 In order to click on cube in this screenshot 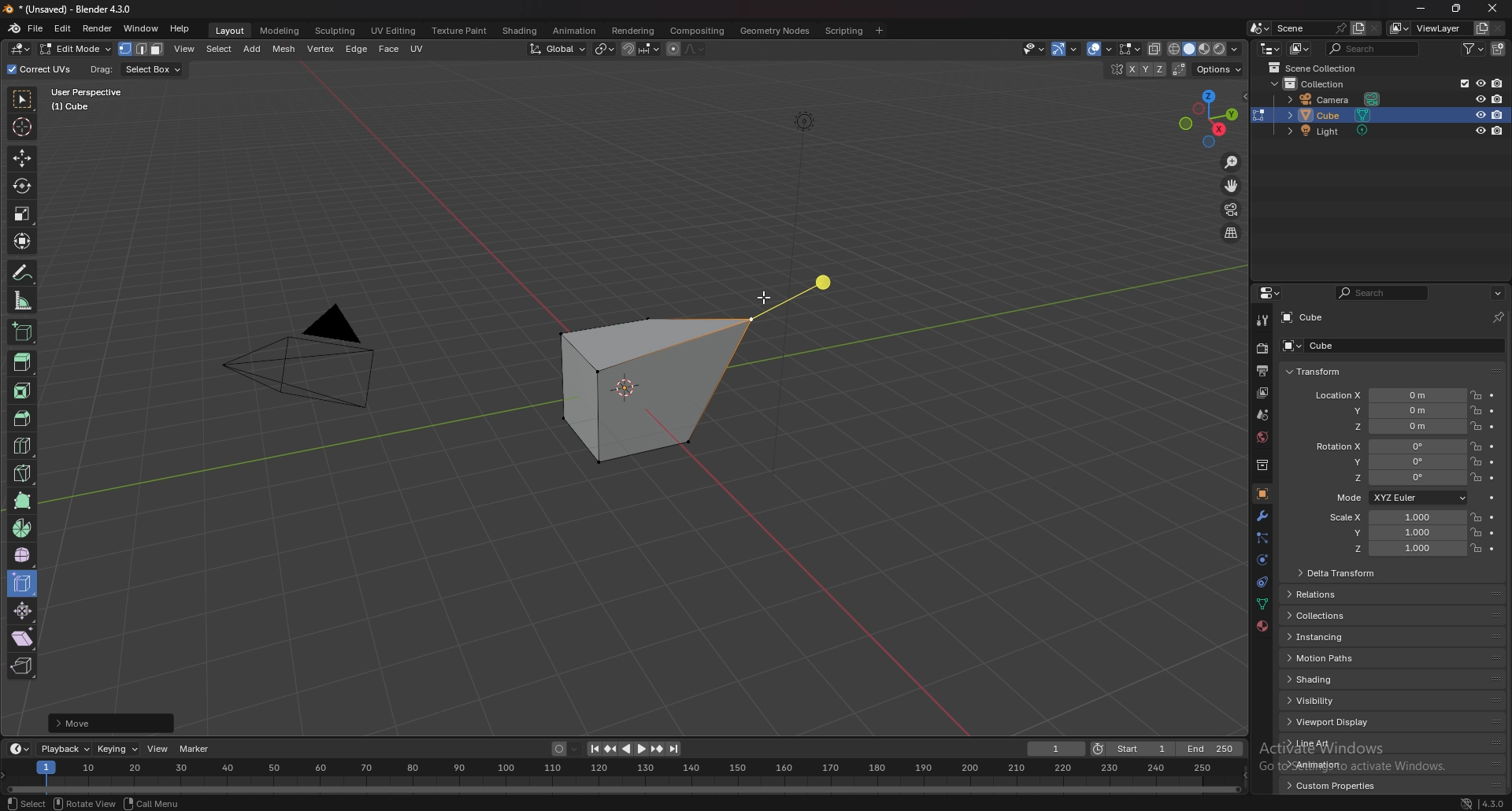, I will do `click(1368, 346)`.